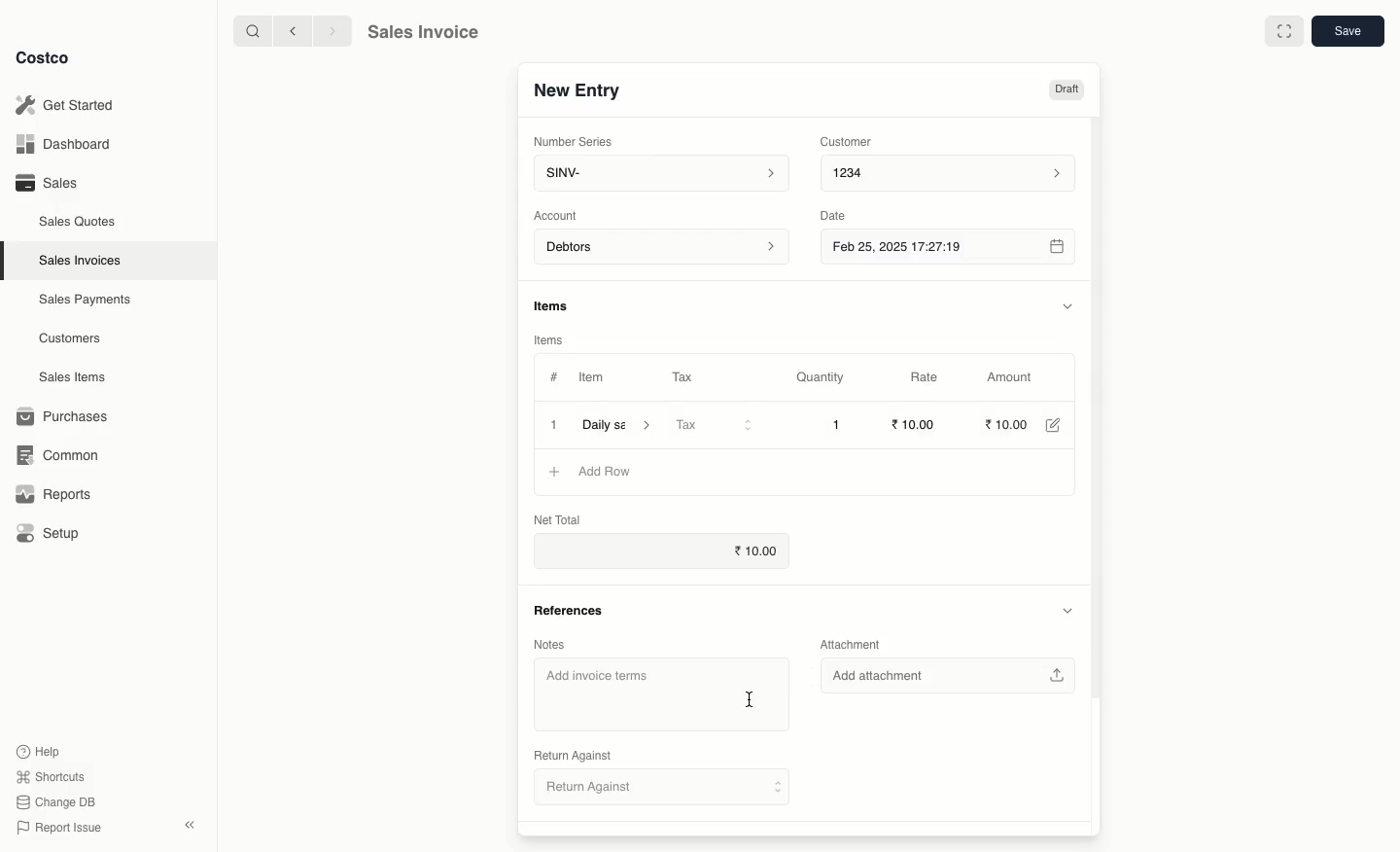 Image resolution: width=1400 pixels, height=852 pixels. Describe the element at coordinates (1012, 424) in the screenshot. I see `10.00` at that location.